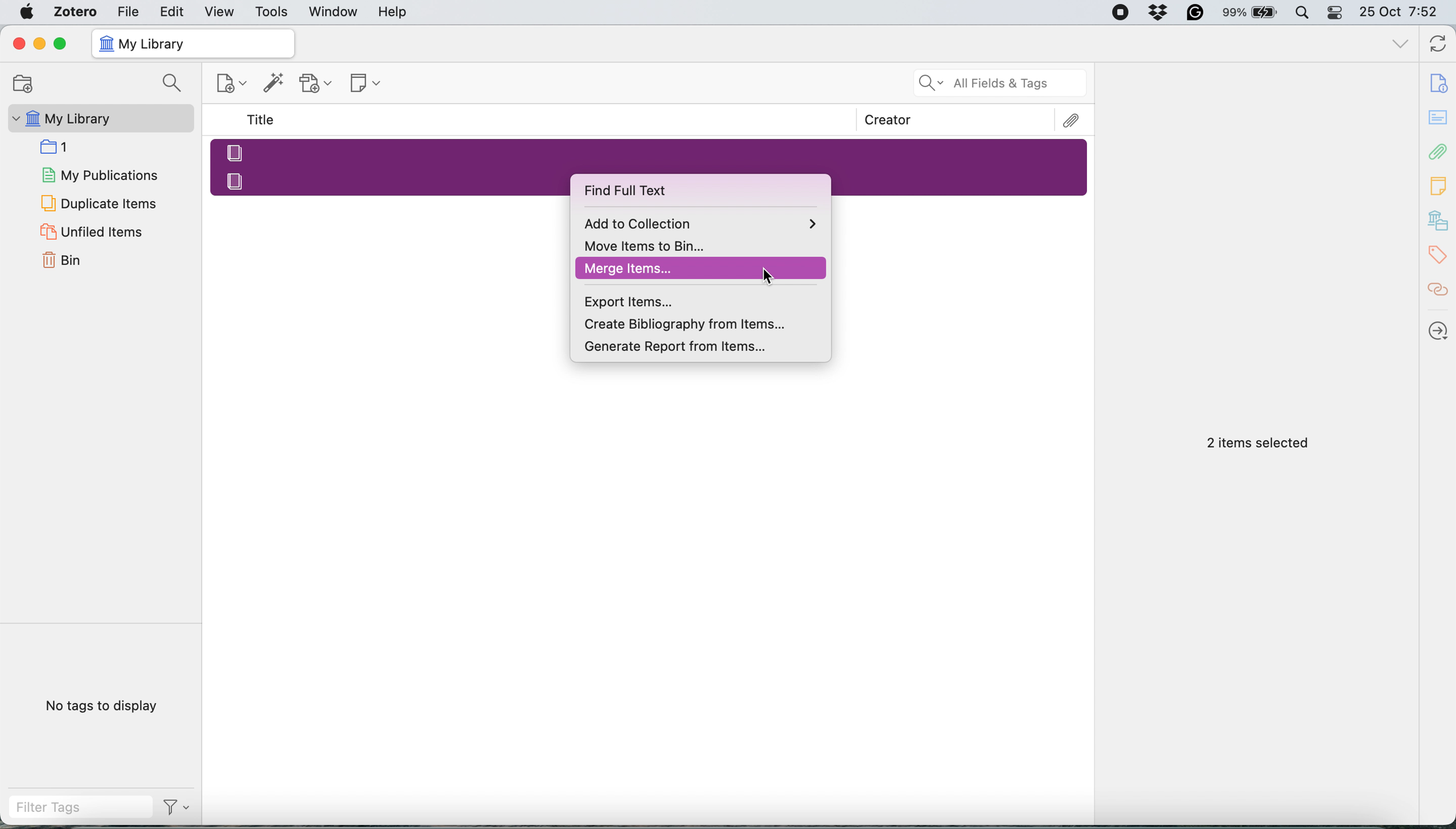 The height and width of the screenshot is (829, 1456). I want to click on My Publications, so click(99, 173).